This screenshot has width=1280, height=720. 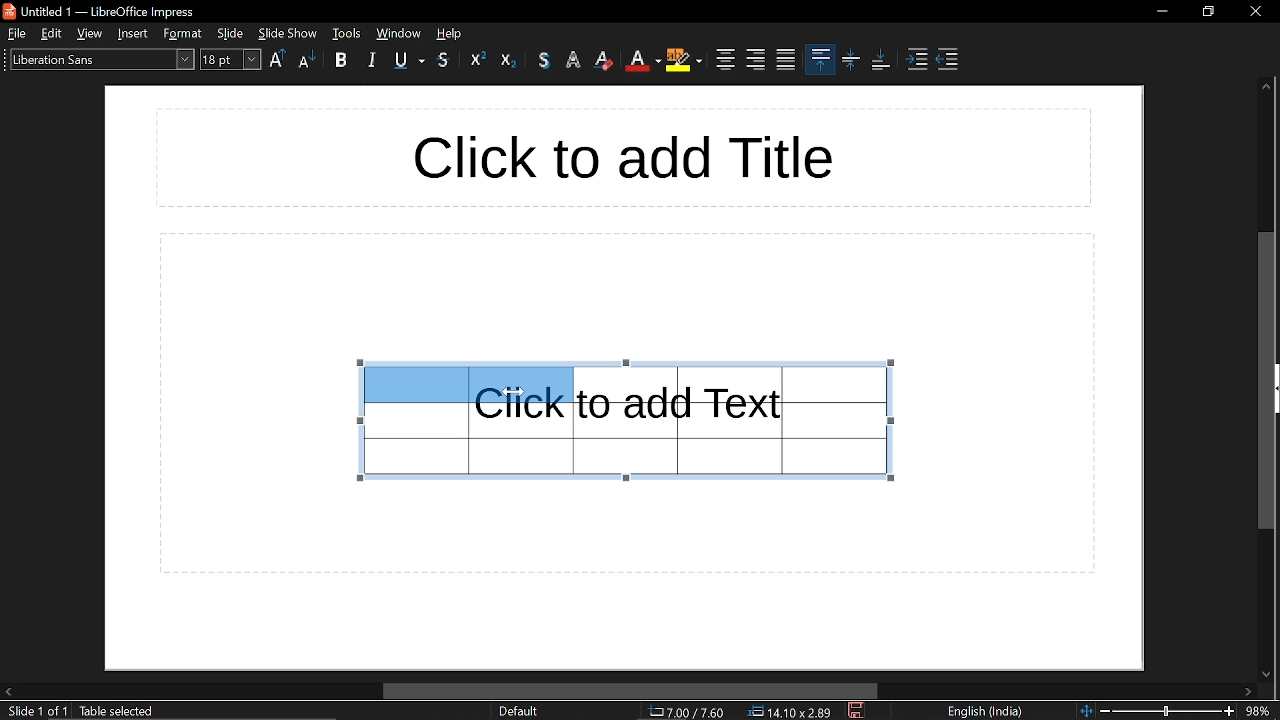 What do you see at coordinates (183, 34) in the screenshot?
I see `format` at bounding box center [183, 34].